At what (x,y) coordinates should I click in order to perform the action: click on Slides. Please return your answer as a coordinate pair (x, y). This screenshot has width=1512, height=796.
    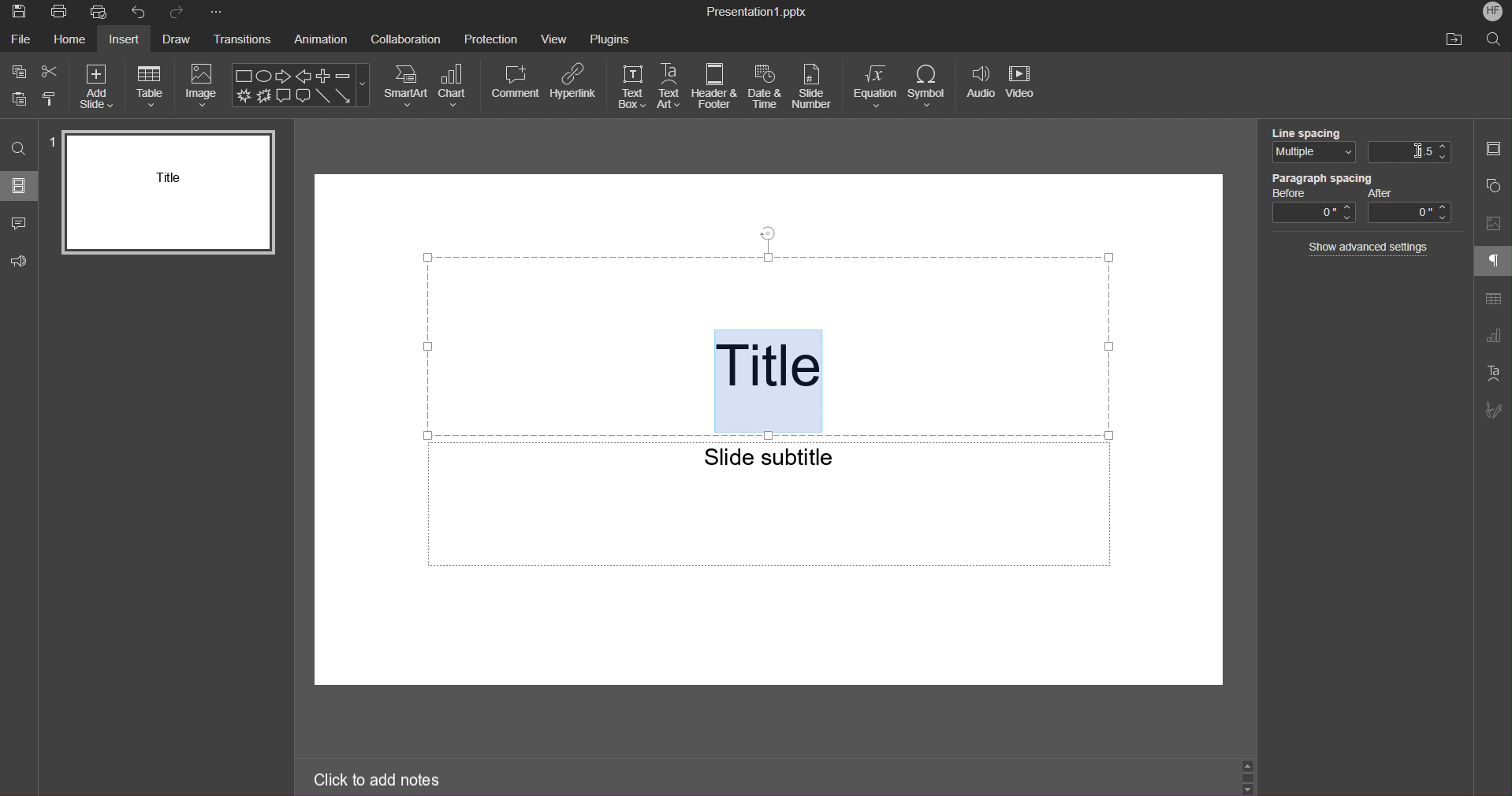
    Looking at the image, I should click on (19, 185).